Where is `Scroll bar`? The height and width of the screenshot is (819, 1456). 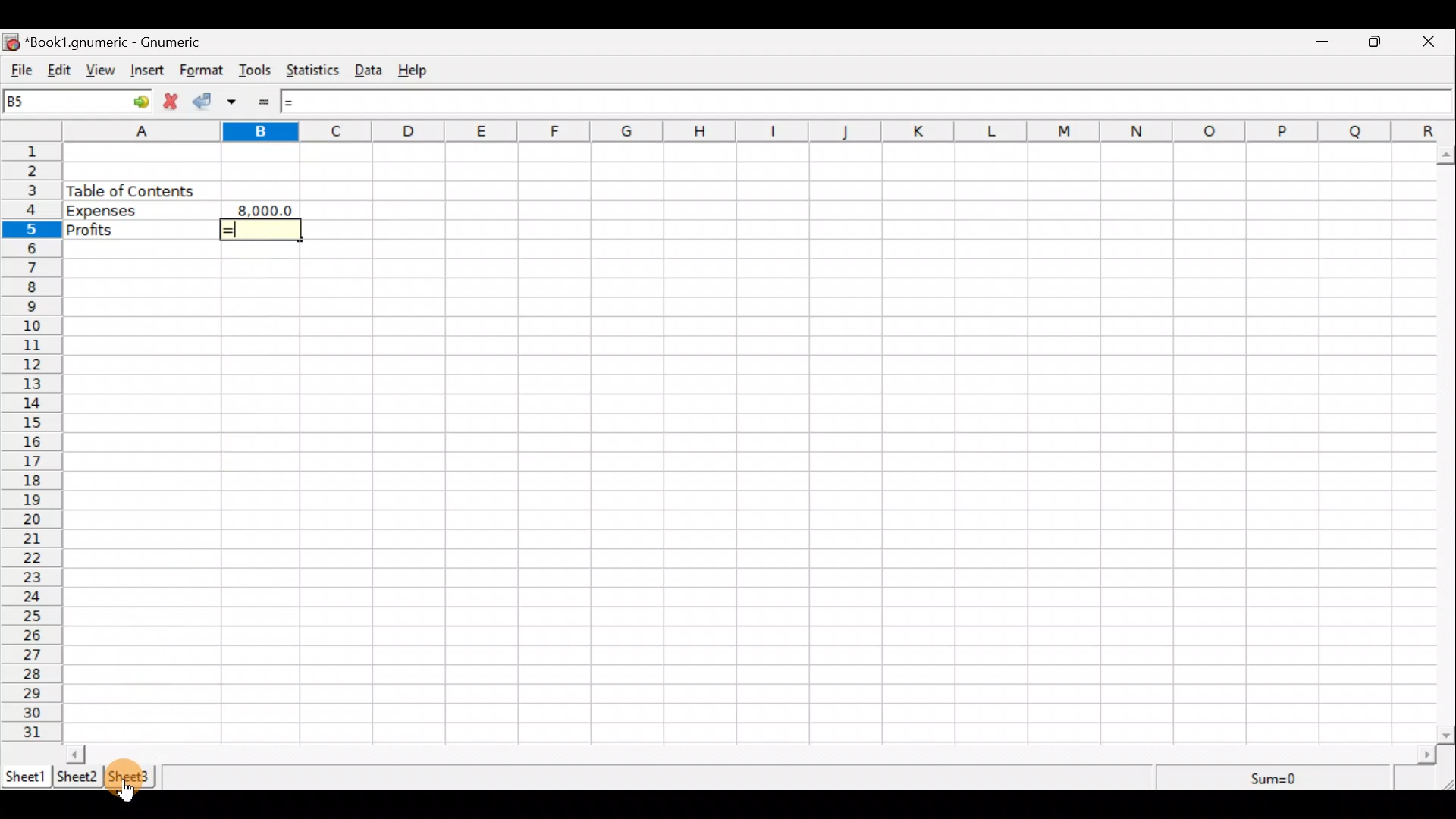 Scroll bar is located at coordinates (1447, 441).